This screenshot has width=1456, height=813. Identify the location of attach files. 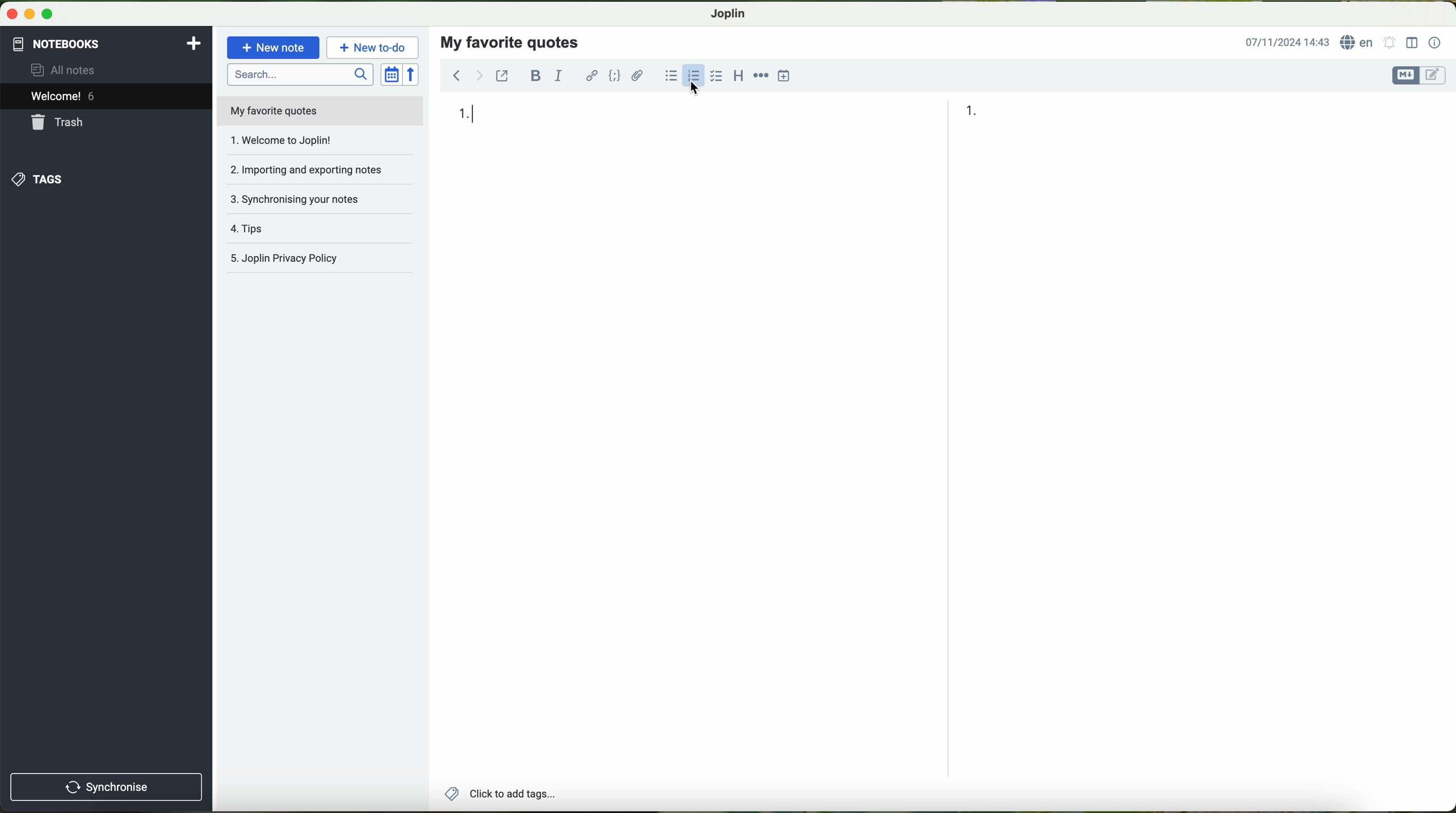
(639, 78).